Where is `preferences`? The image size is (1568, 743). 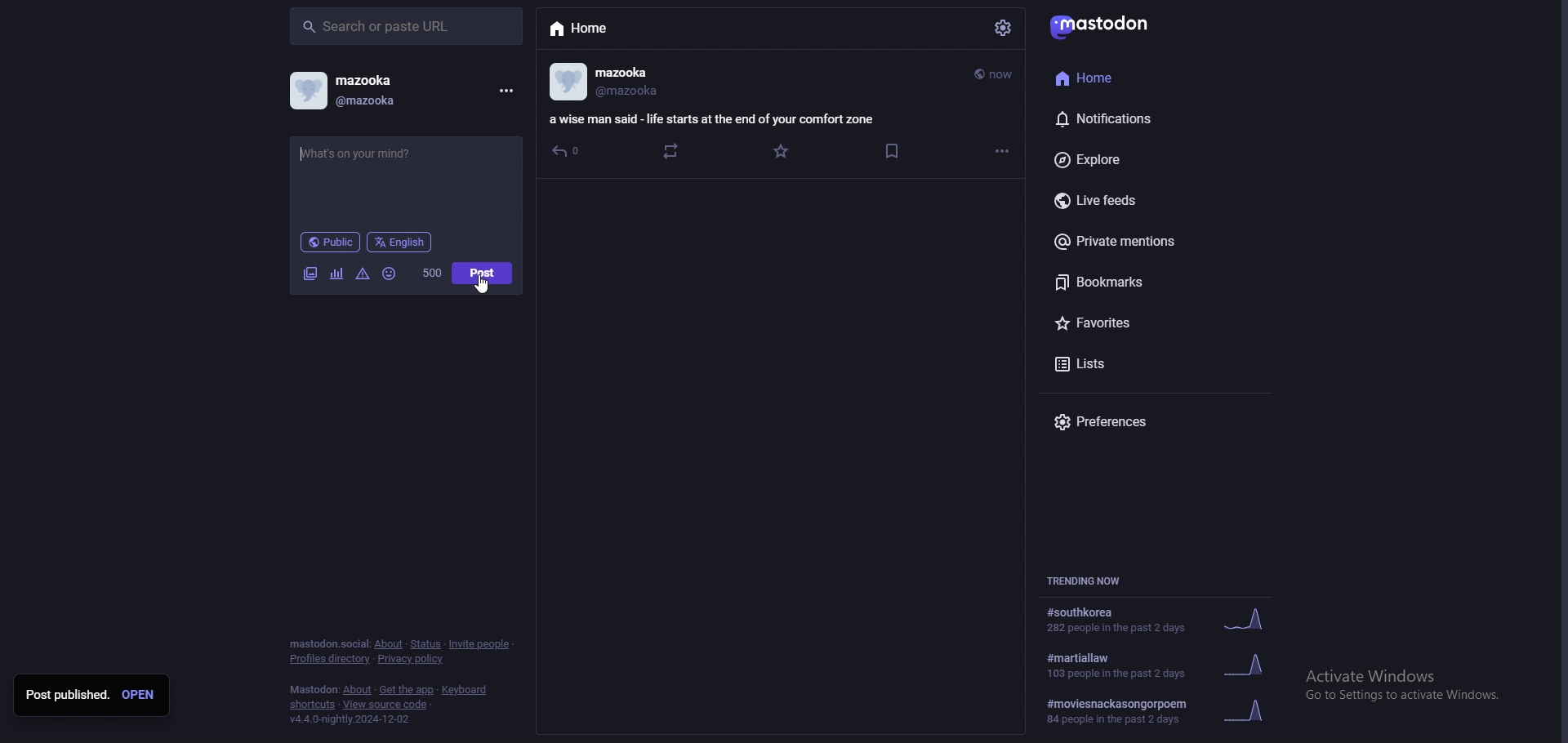
preferences is located at coordinates (1132, 421).